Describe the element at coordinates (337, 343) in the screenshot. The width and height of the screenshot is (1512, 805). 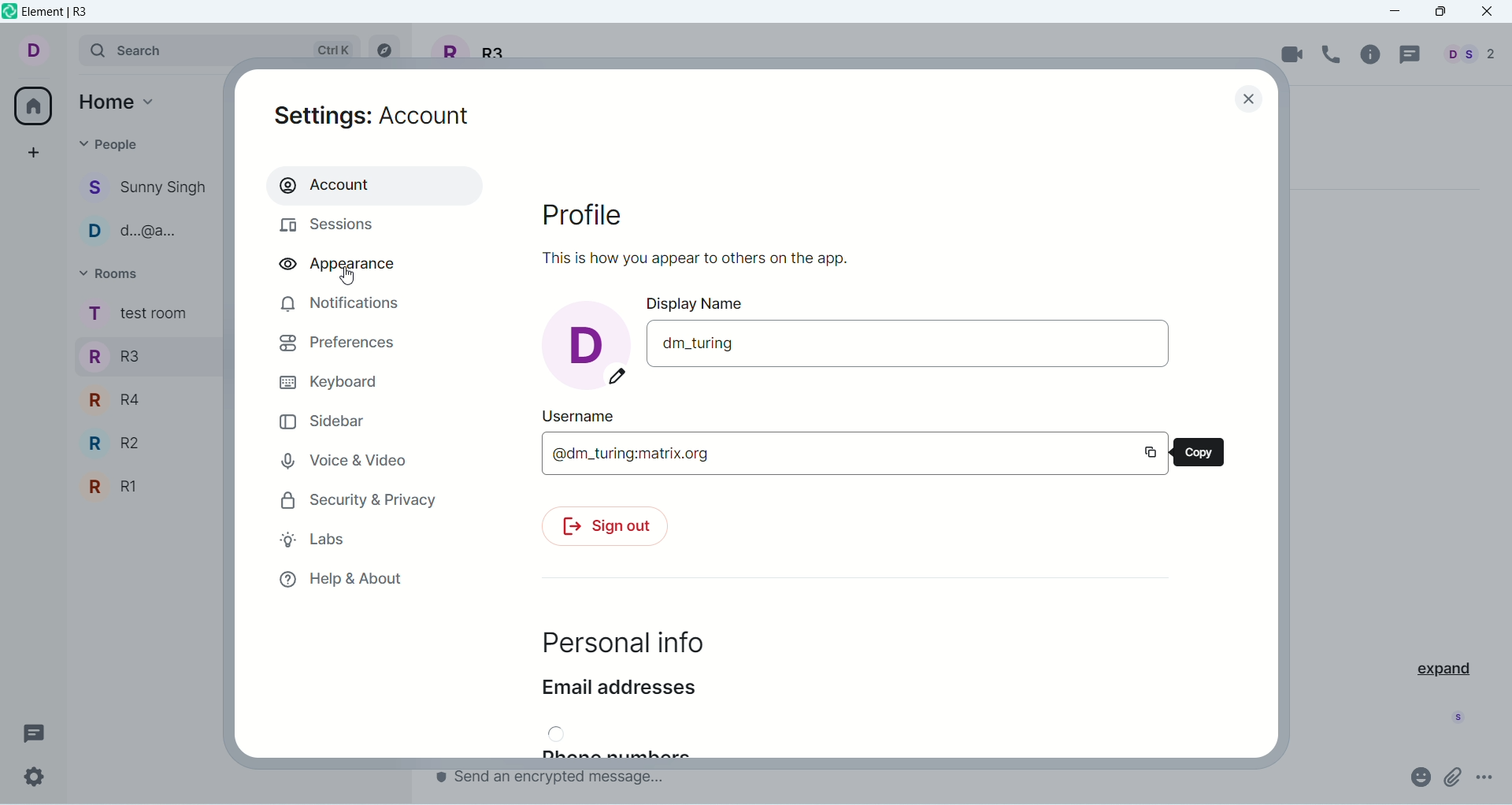
I see `preferences` at that location.